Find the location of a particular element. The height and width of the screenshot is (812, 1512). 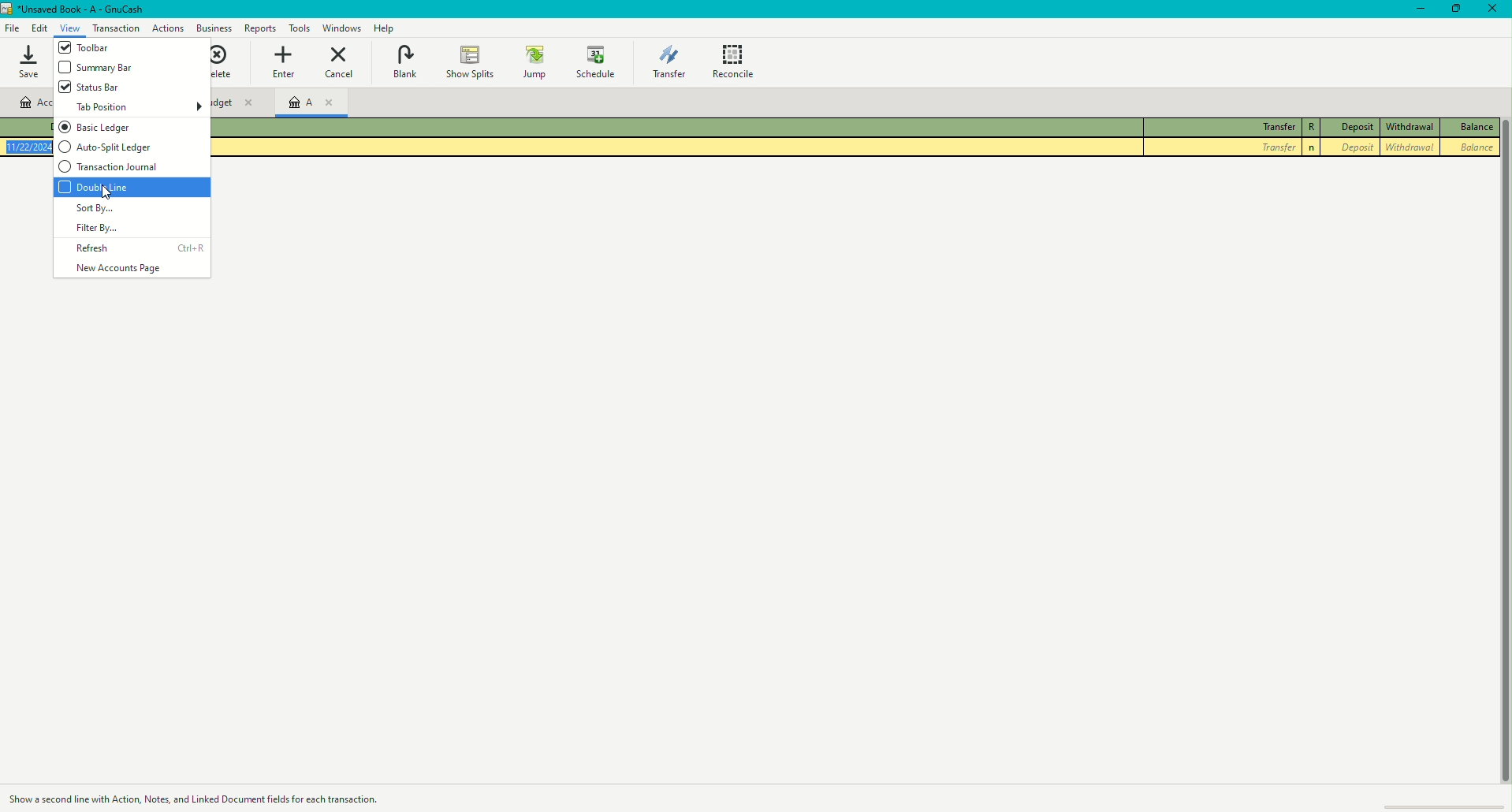

Windows is located at coordinates (342, 28).